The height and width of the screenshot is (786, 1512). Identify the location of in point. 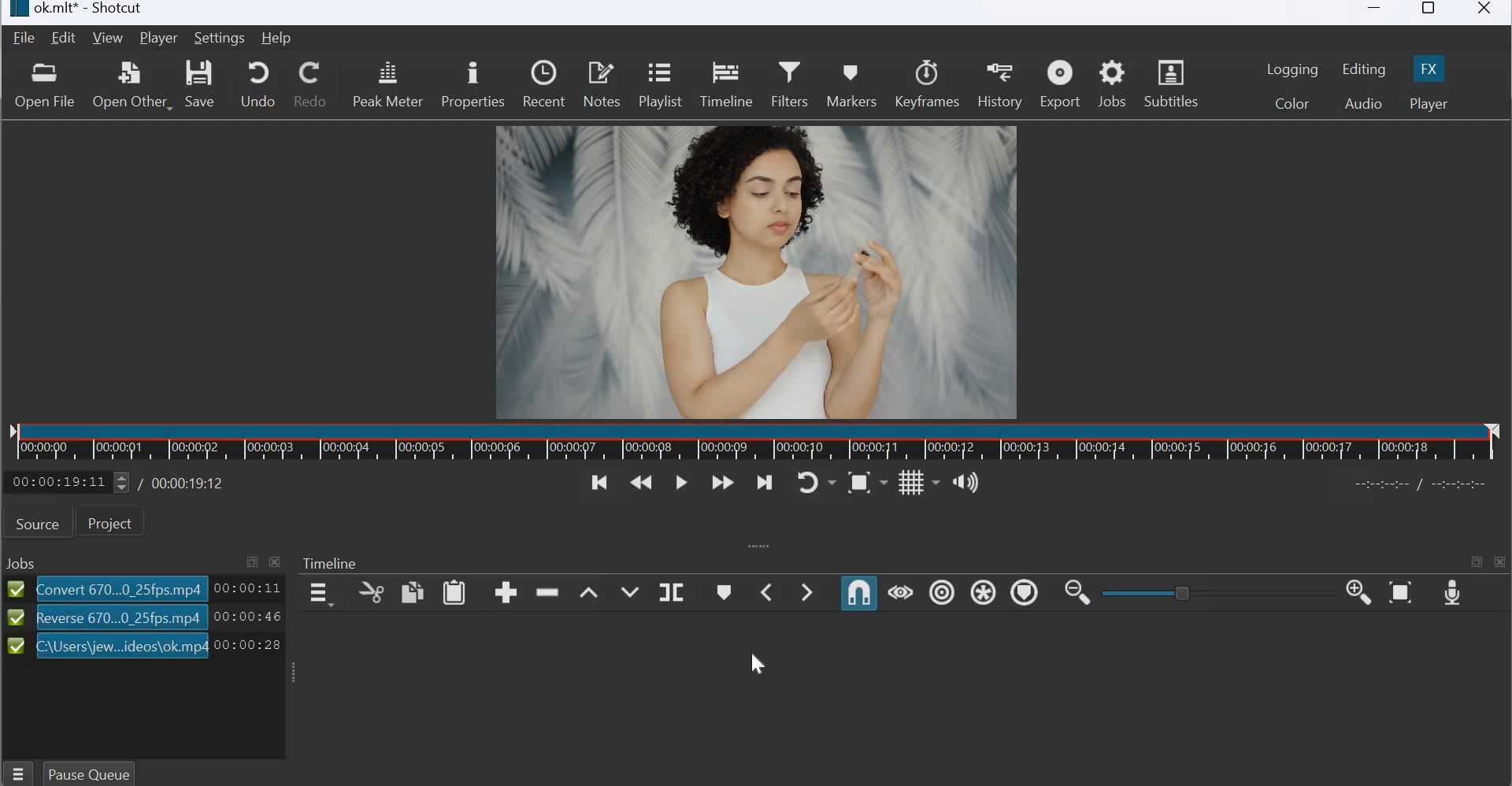
(1425, 486).